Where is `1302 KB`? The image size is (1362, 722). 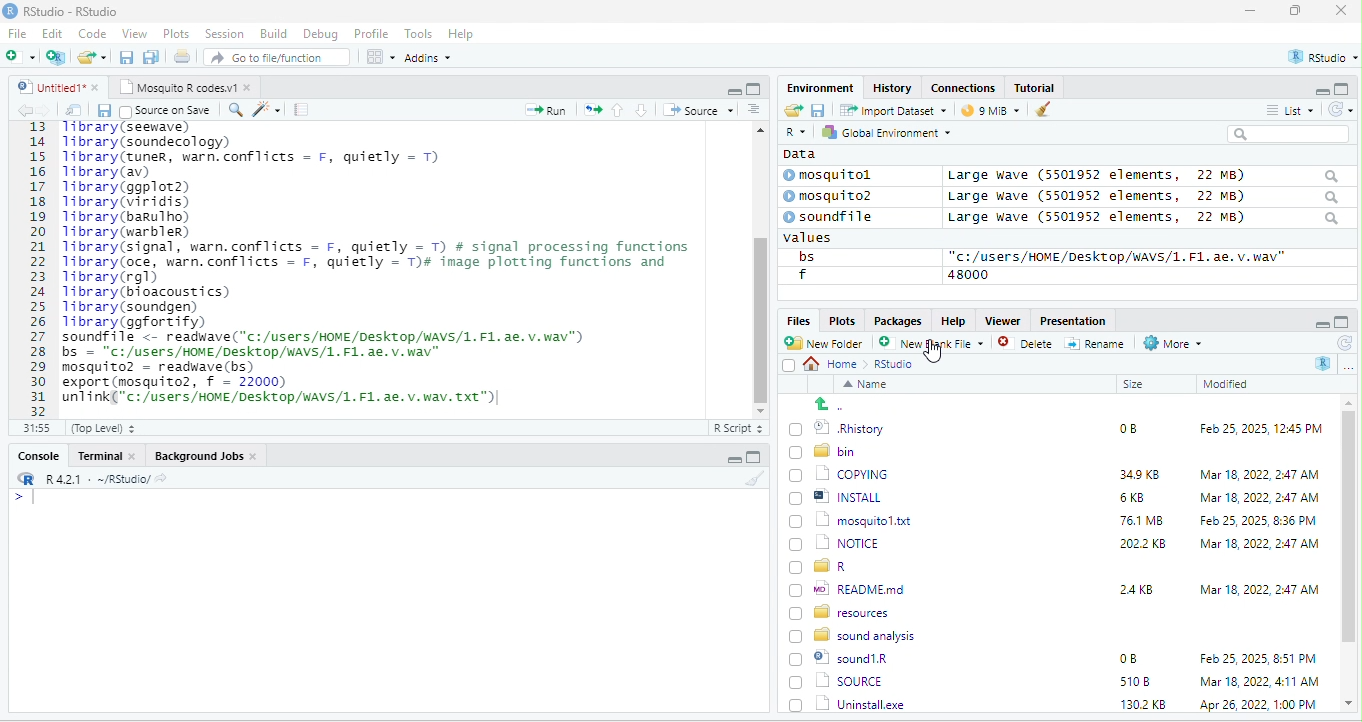
1302 KB is located at coordinates (1145, 704).